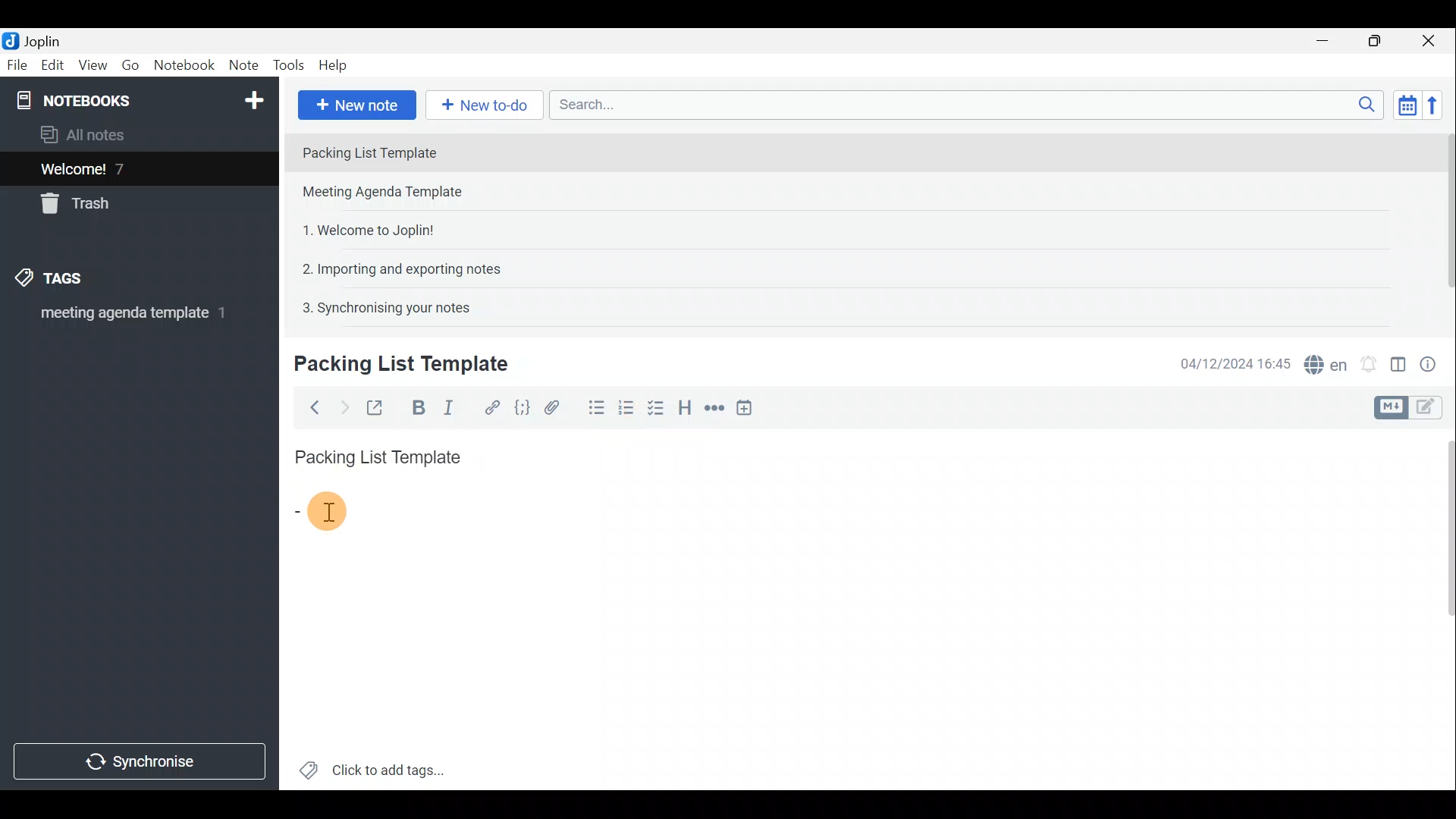 Image resolution: width=1456 pixels, height=819 pixels. I want to click on Note 4, so click(394, 266).